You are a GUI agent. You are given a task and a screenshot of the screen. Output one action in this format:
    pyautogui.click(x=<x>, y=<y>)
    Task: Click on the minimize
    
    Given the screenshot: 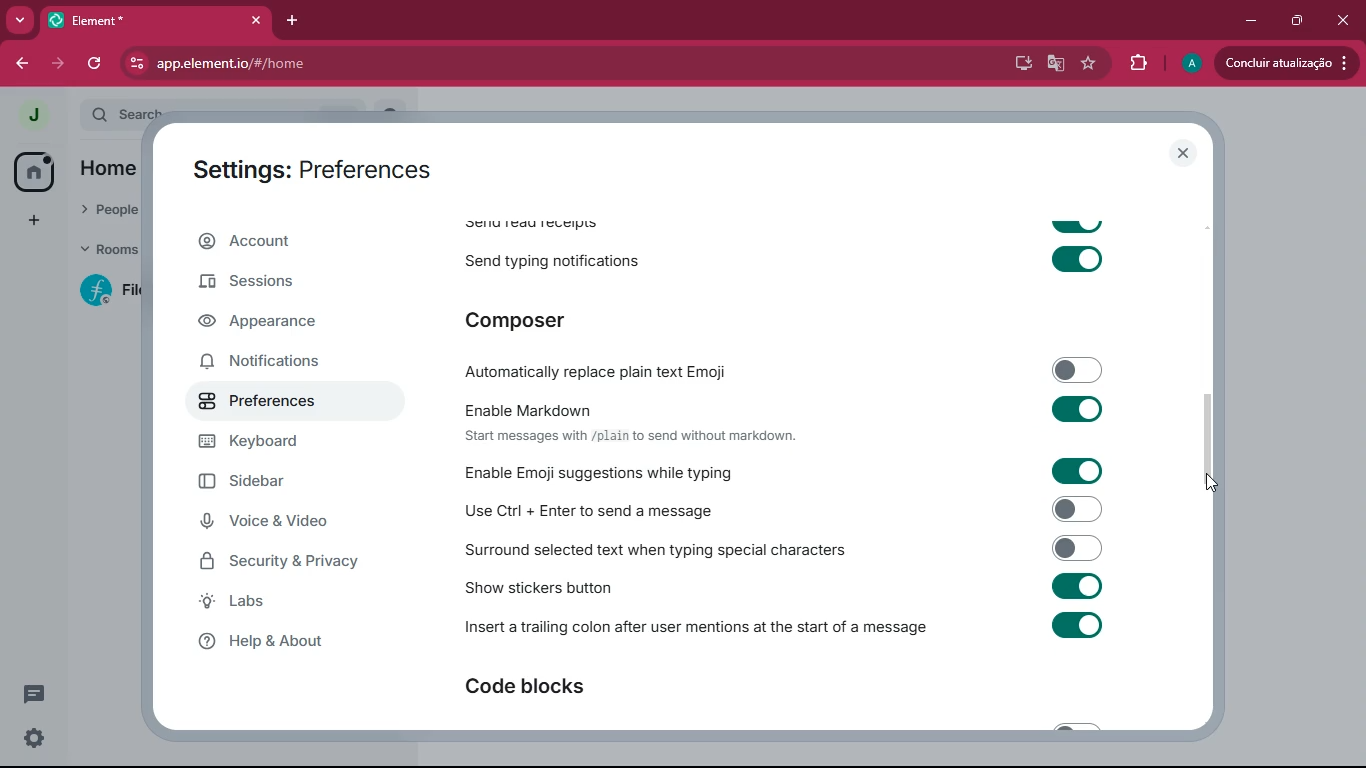 What is the action you would take?
    pyautogui.click(x=1247, y=21)
    